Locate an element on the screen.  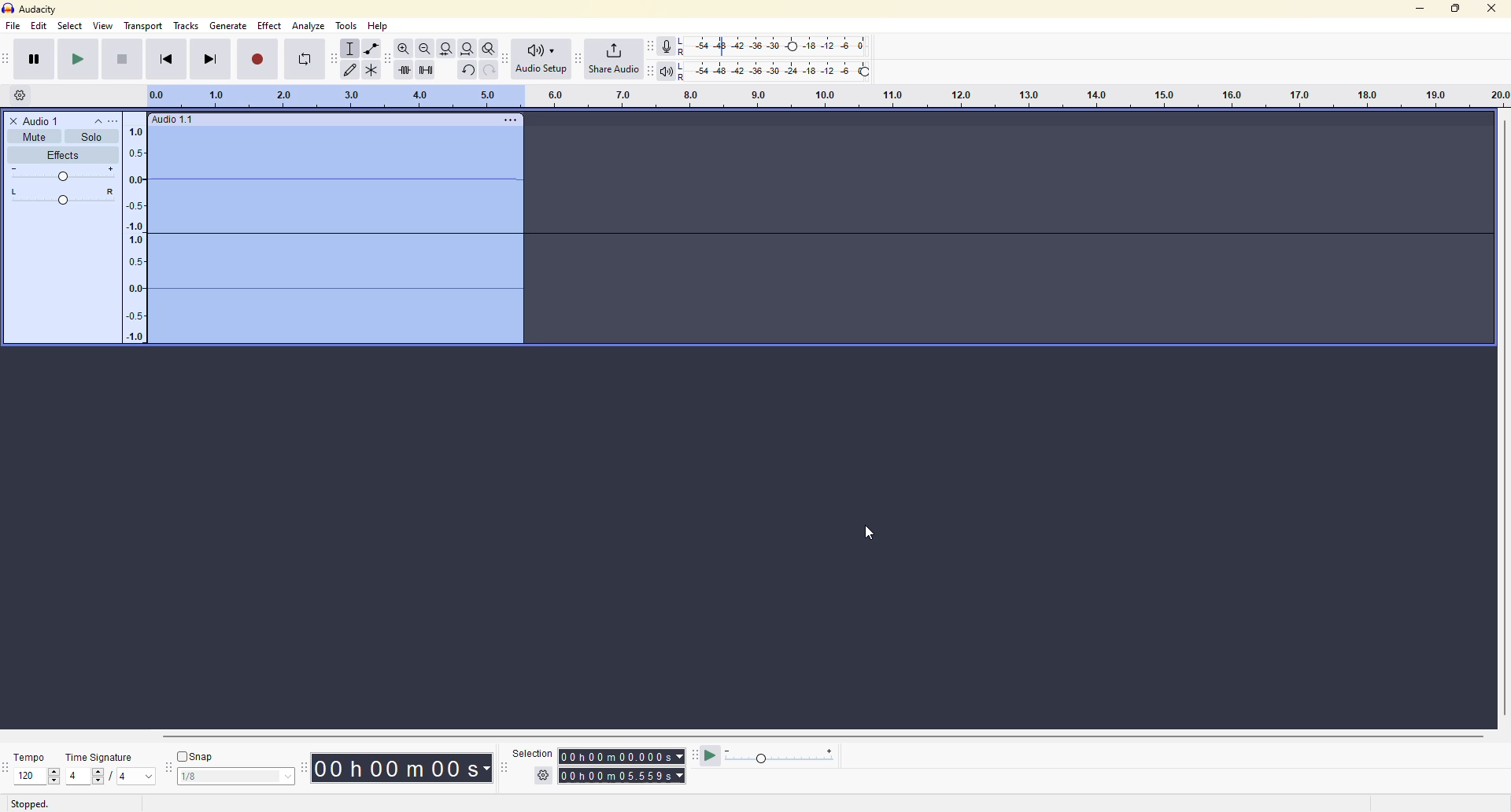
collapse is located at coordinates (98, 120).